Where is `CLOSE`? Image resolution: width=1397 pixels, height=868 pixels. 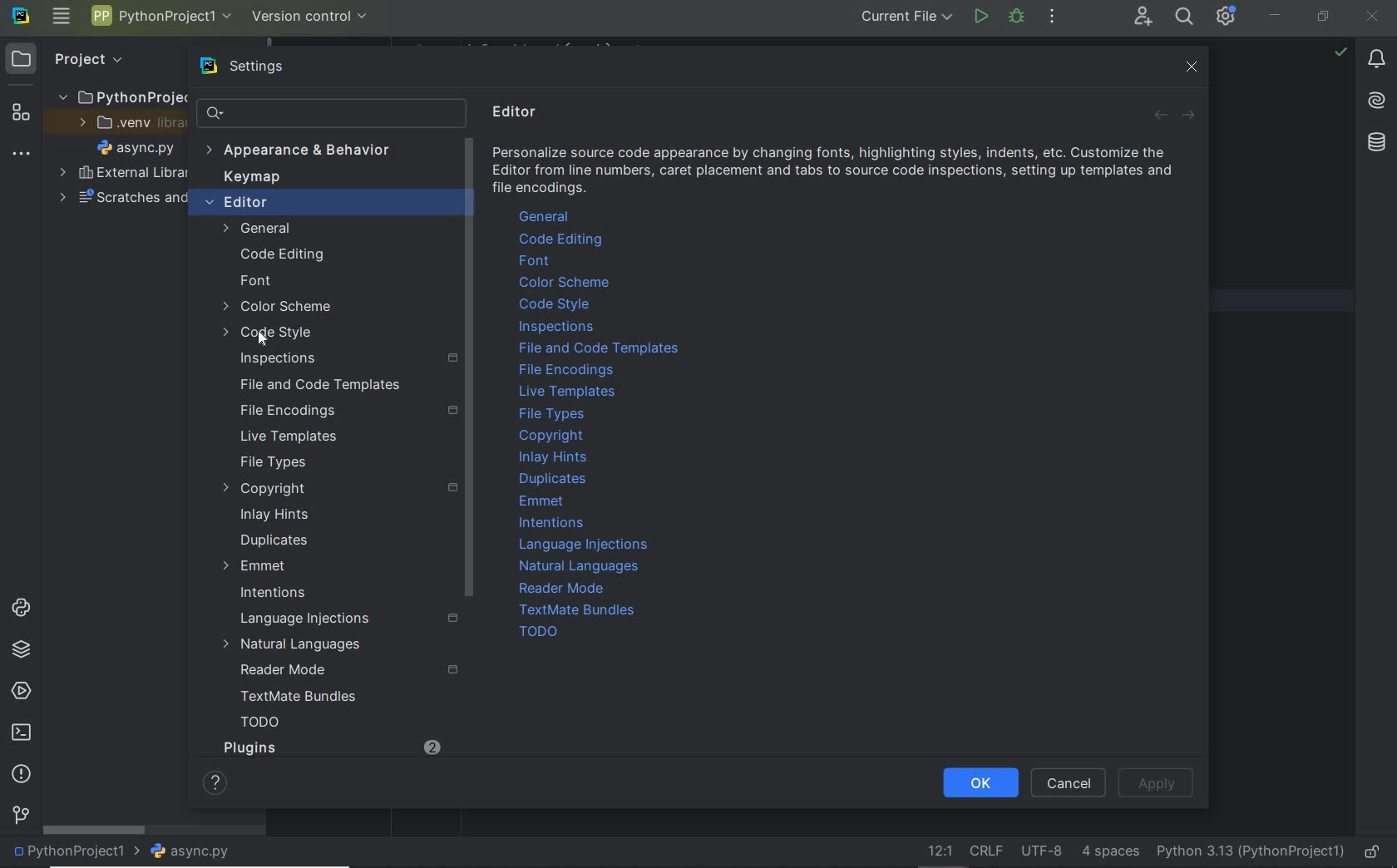 CLOSE is located at coordinates (1373, 15).